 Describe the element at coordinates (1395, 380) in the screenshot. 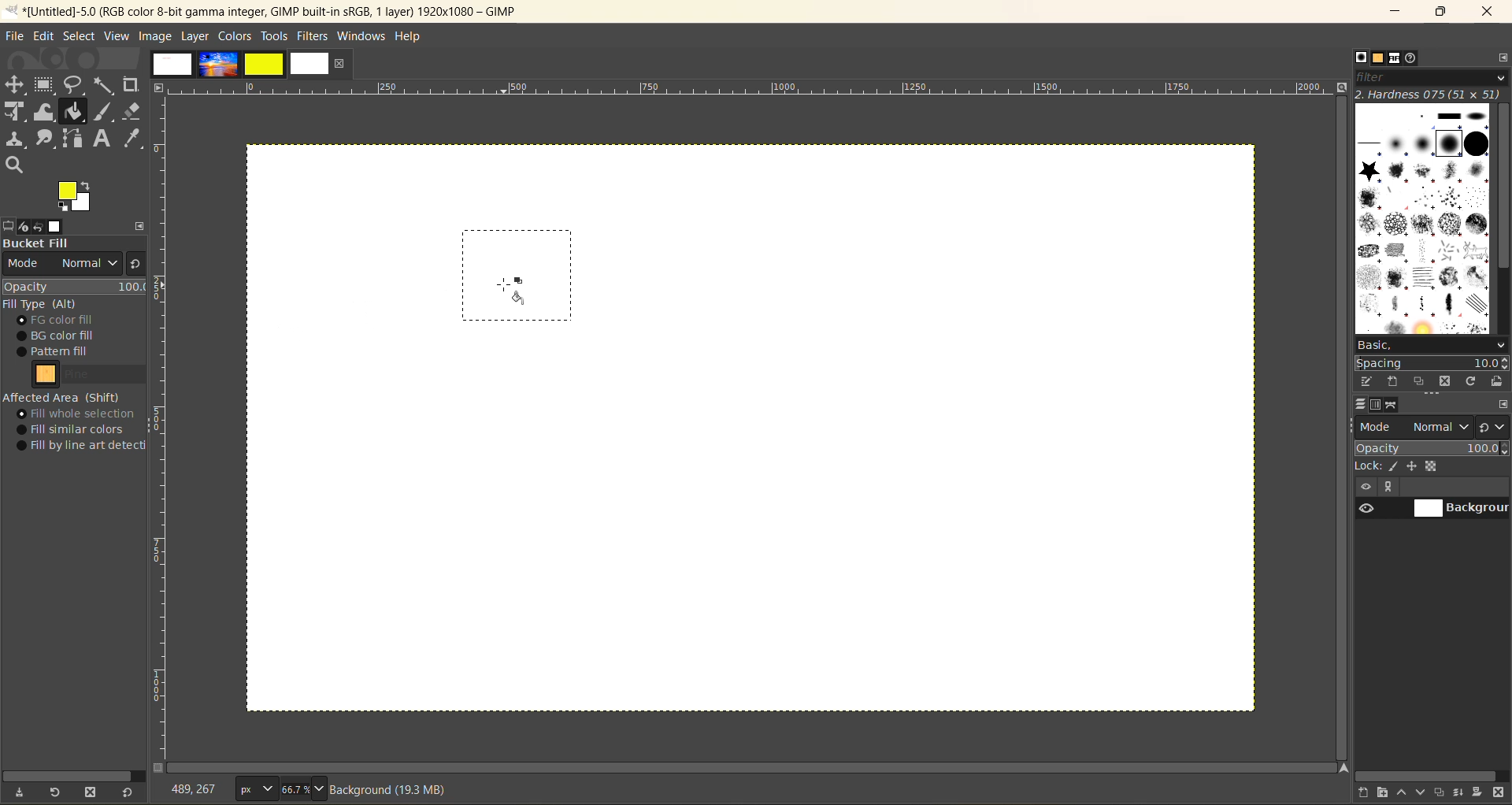

I see `create a new brush` at that location.